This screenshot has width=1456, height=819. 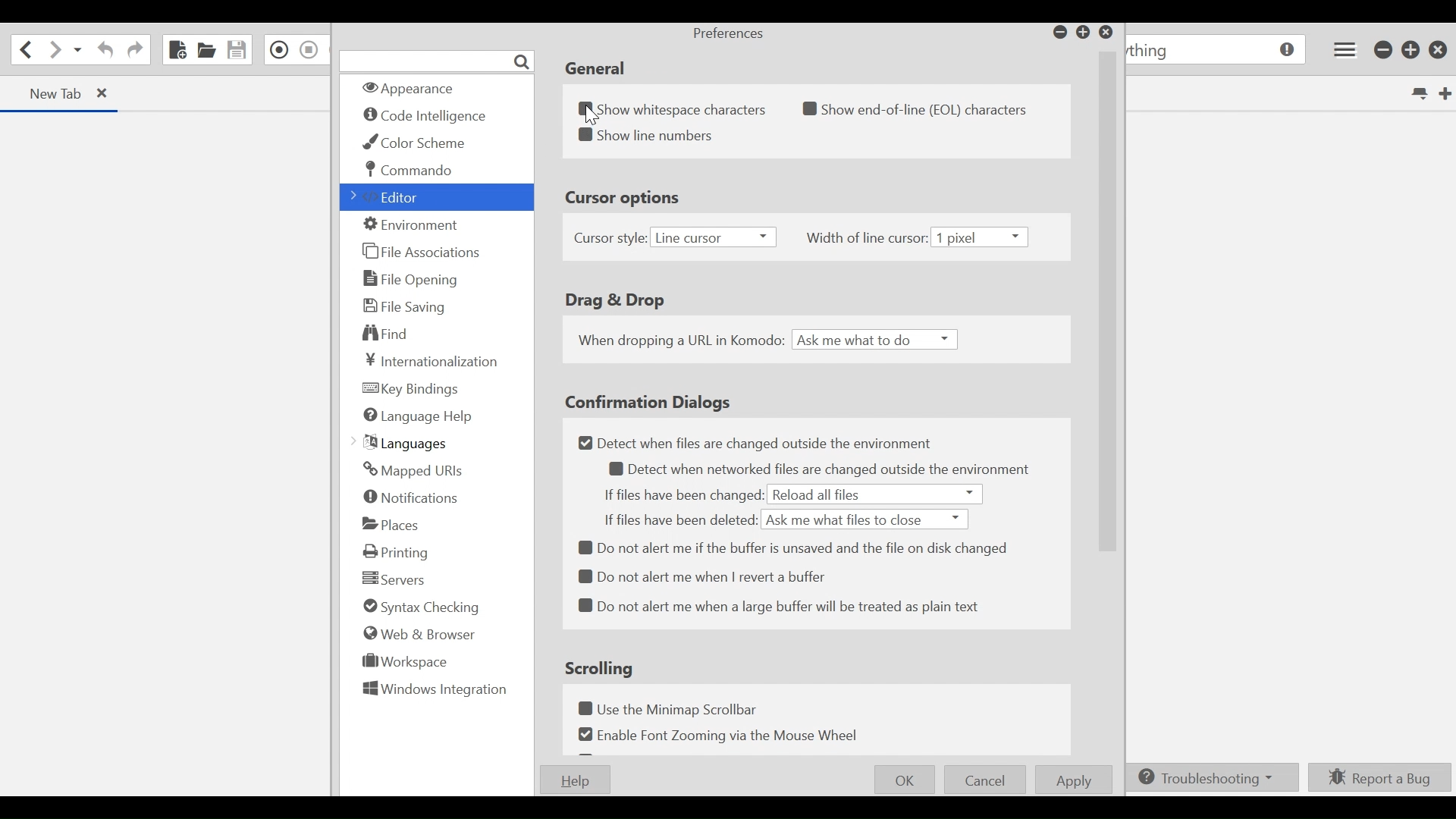 I want to click on Open File, so click(x=206, y=50).